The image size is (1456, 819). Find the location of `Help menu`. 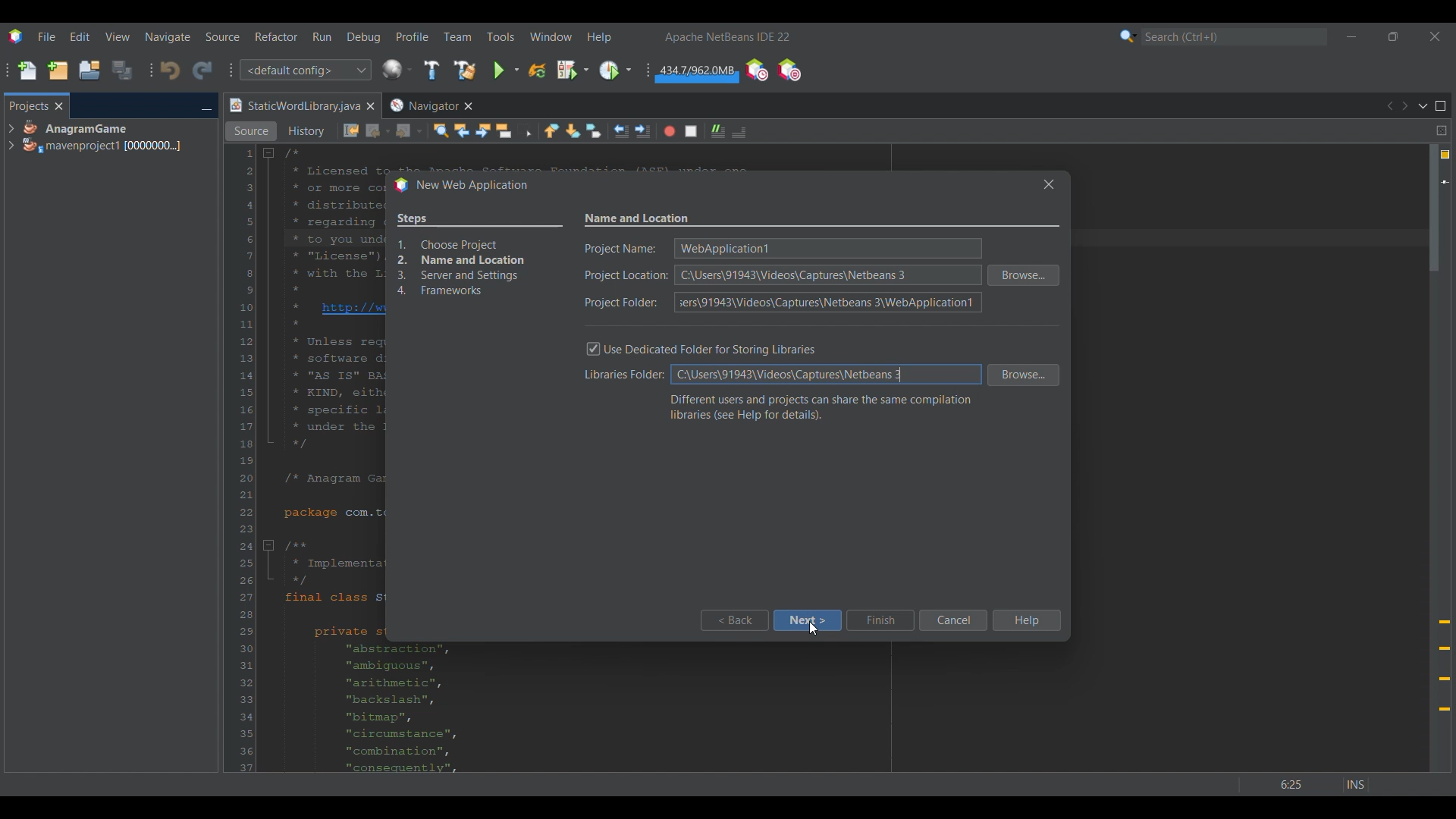

Help menu is located at coordinates (599, 37).